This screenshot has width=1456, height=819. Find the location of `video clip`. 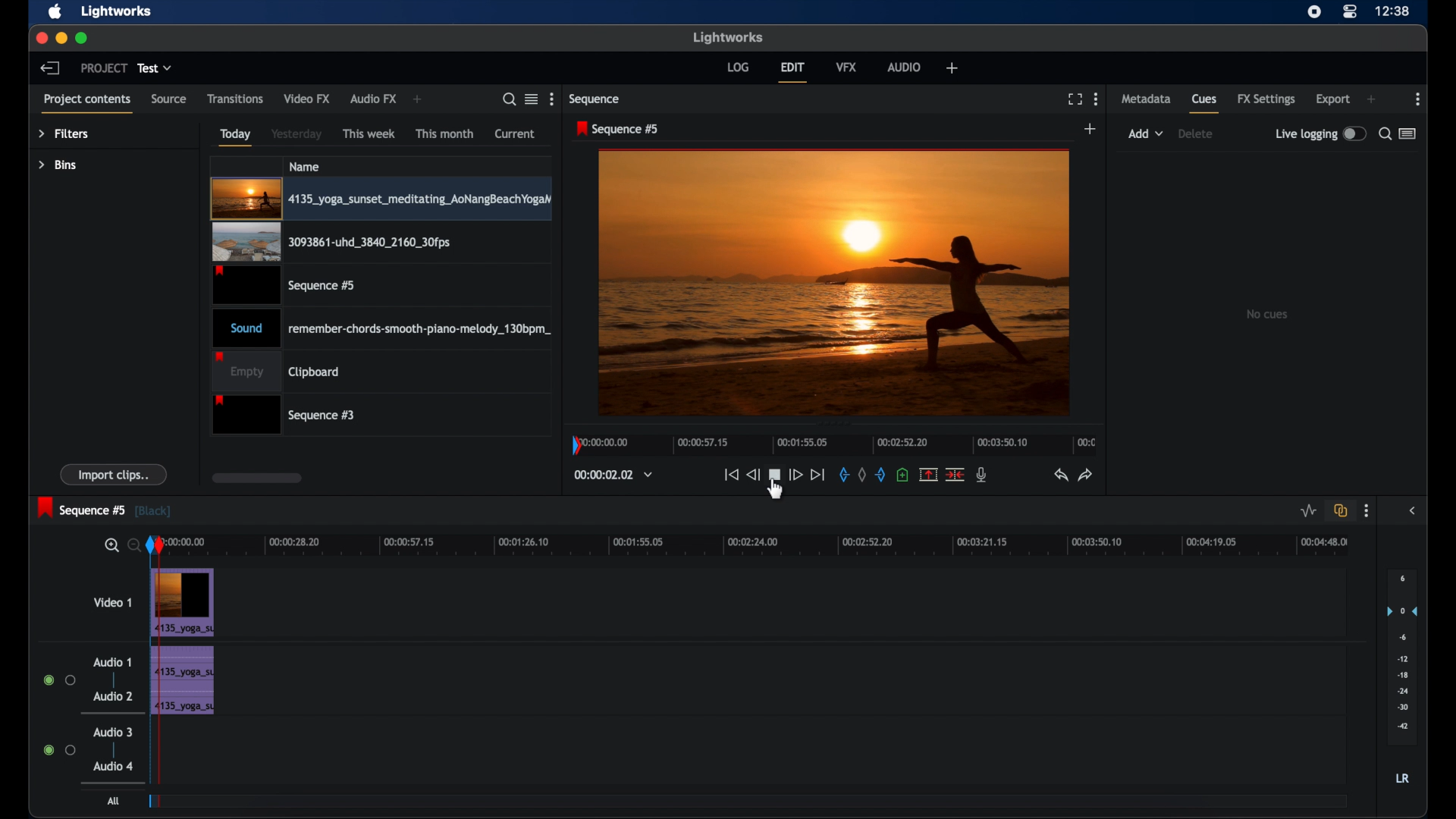

video clip is located at coordinates (331, 243).